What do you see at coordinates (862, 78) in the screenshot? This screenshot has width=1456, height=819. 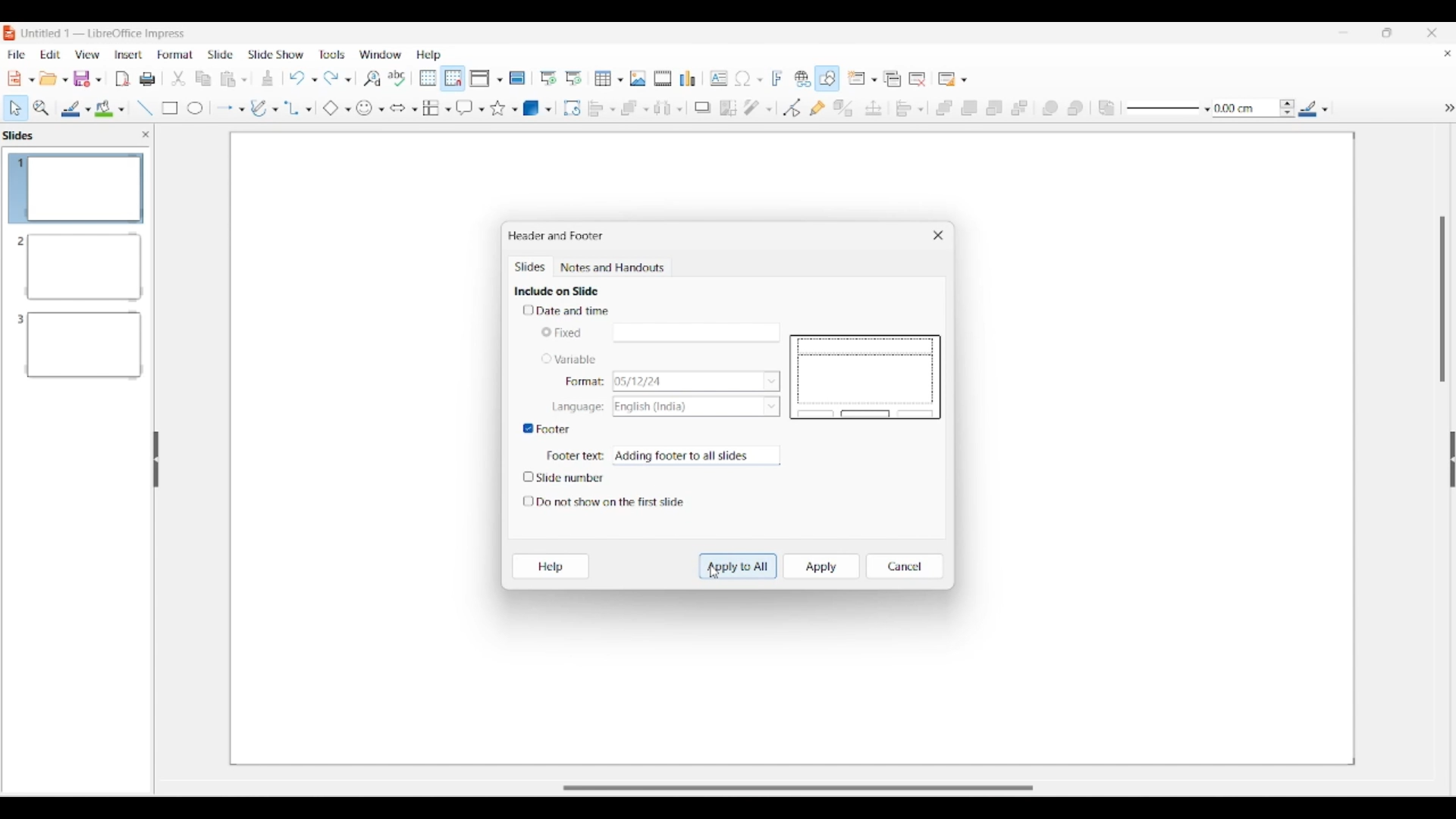 I see `New slide options` at bounding box center [862, 78].